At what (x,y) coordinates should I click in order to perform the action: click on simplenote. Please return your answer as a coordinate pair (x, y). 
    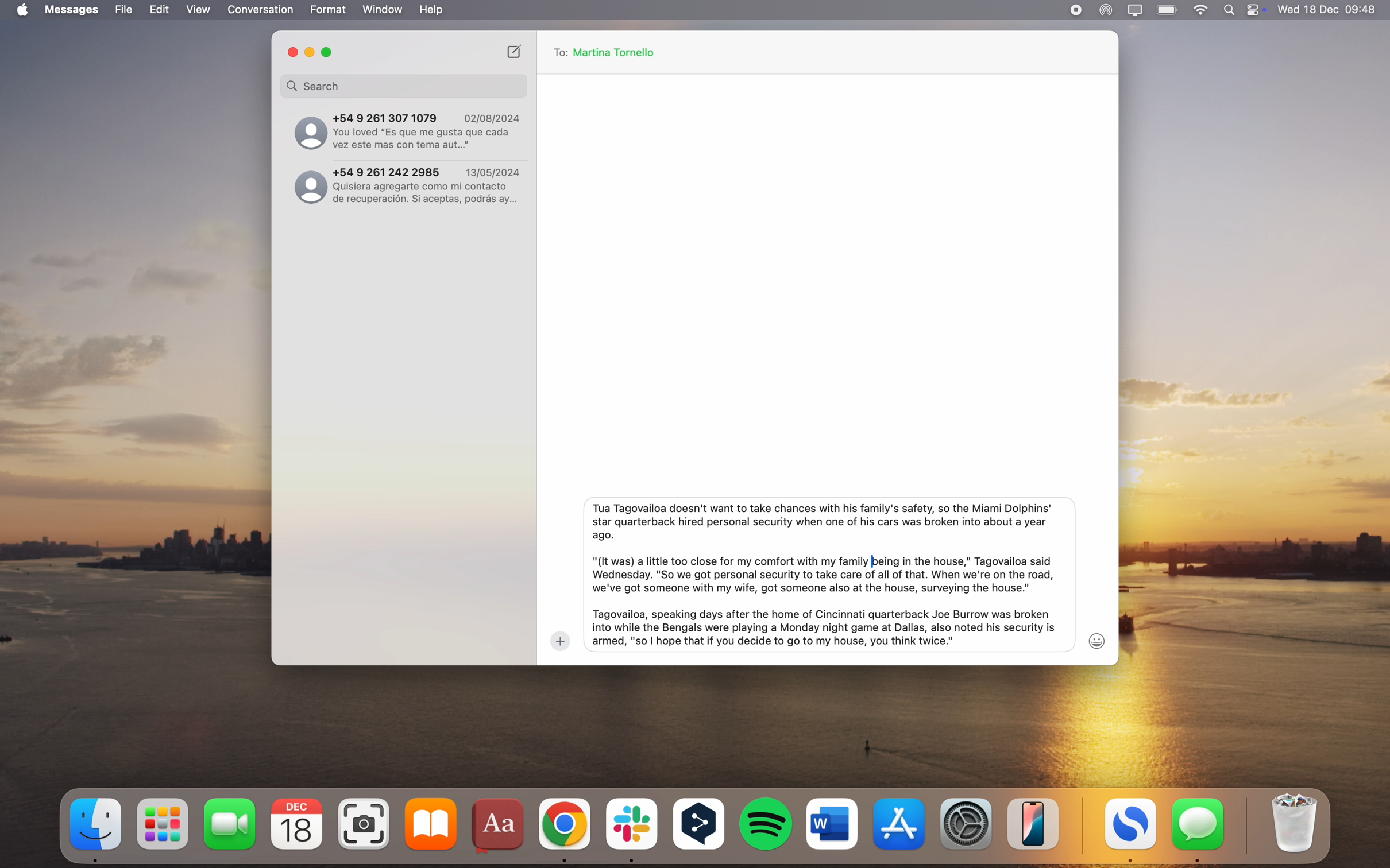
    Looking at the image, I should click on (1131, 831).